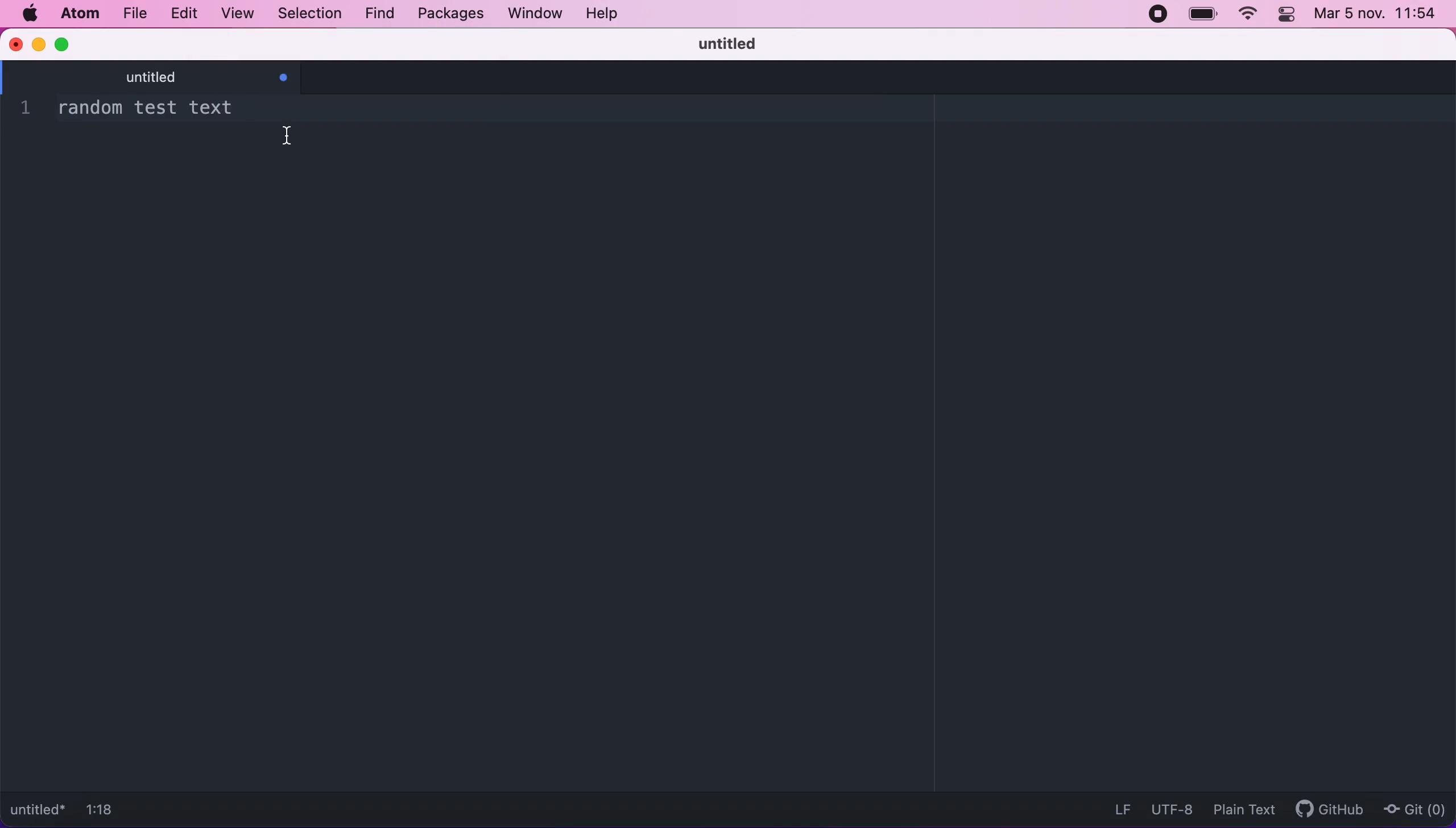 This screenshot has width=1456, height=828. What do you see at coordinates (449, 14) in the screenshot?
I see `packages` at bounding box center [449, 14].